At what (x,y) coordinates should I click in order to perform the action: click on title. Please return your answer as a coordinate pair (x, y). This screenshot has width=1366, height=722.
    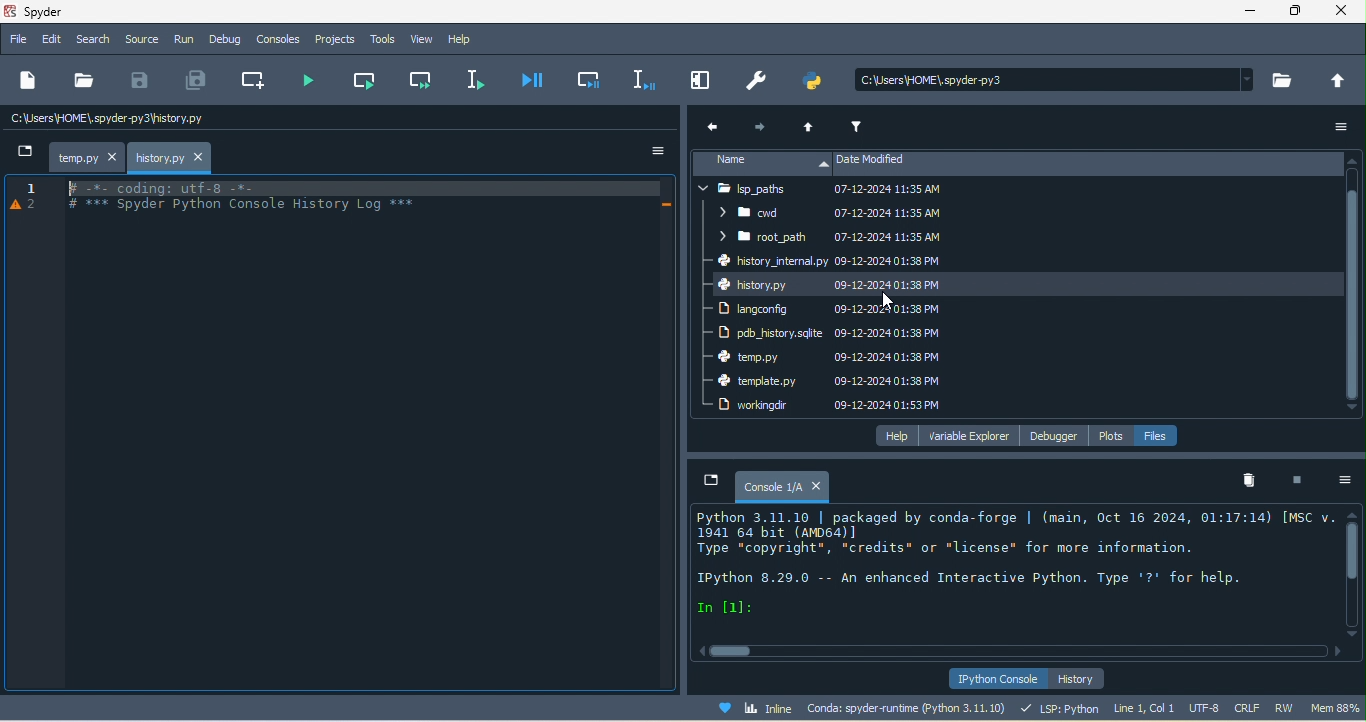
    Looking at the image, I should click on (55, 12).